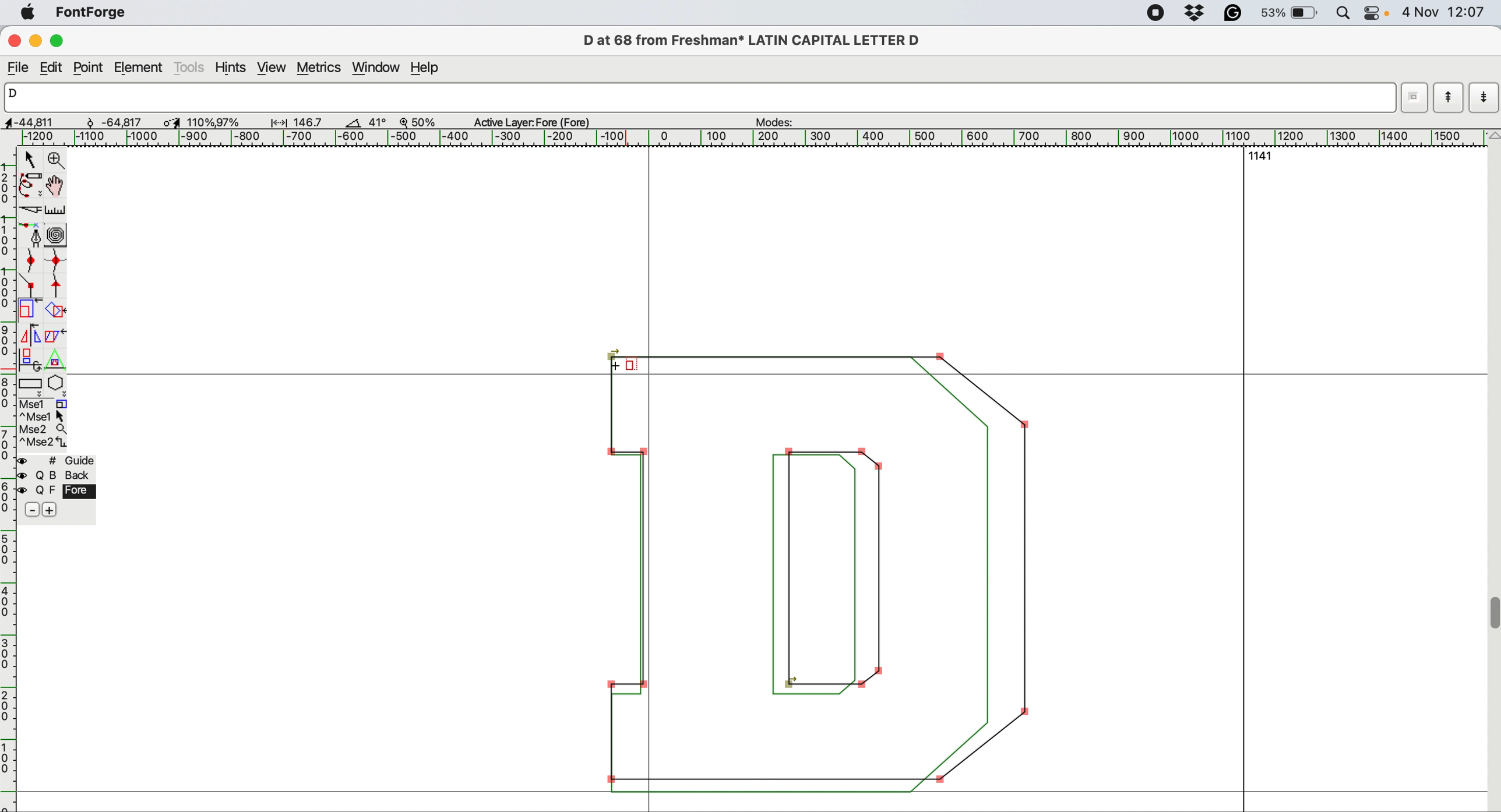 Image resolution: width=1501 pixels, height=812 pixels. I want to click on 1141, so click(1266, 156).